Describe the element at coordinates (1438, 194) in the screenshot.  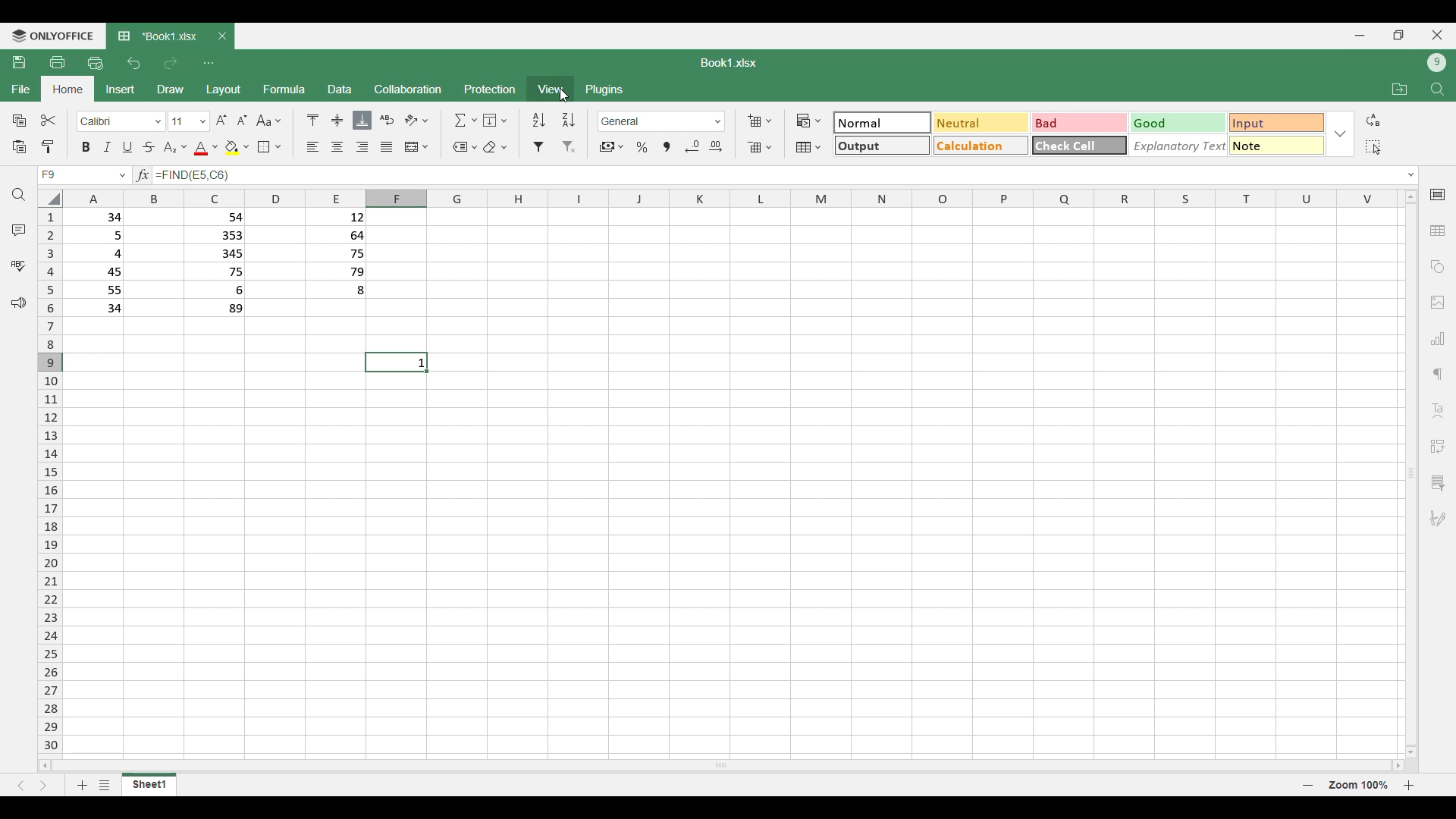
I see `Cell settings` at that location.